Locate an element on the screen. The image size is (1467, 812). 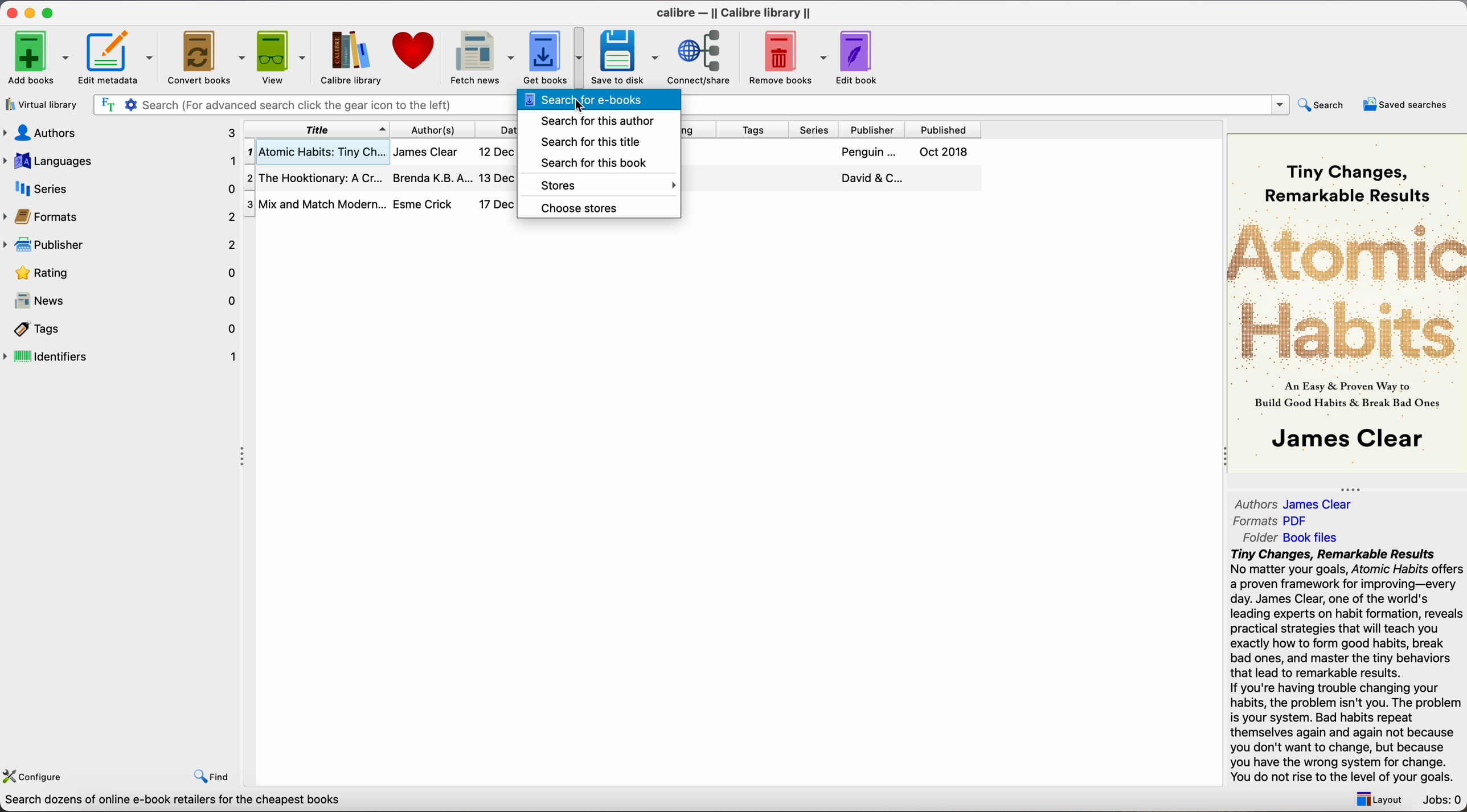
Authors James Clear is located at coordinates (1294, 505).